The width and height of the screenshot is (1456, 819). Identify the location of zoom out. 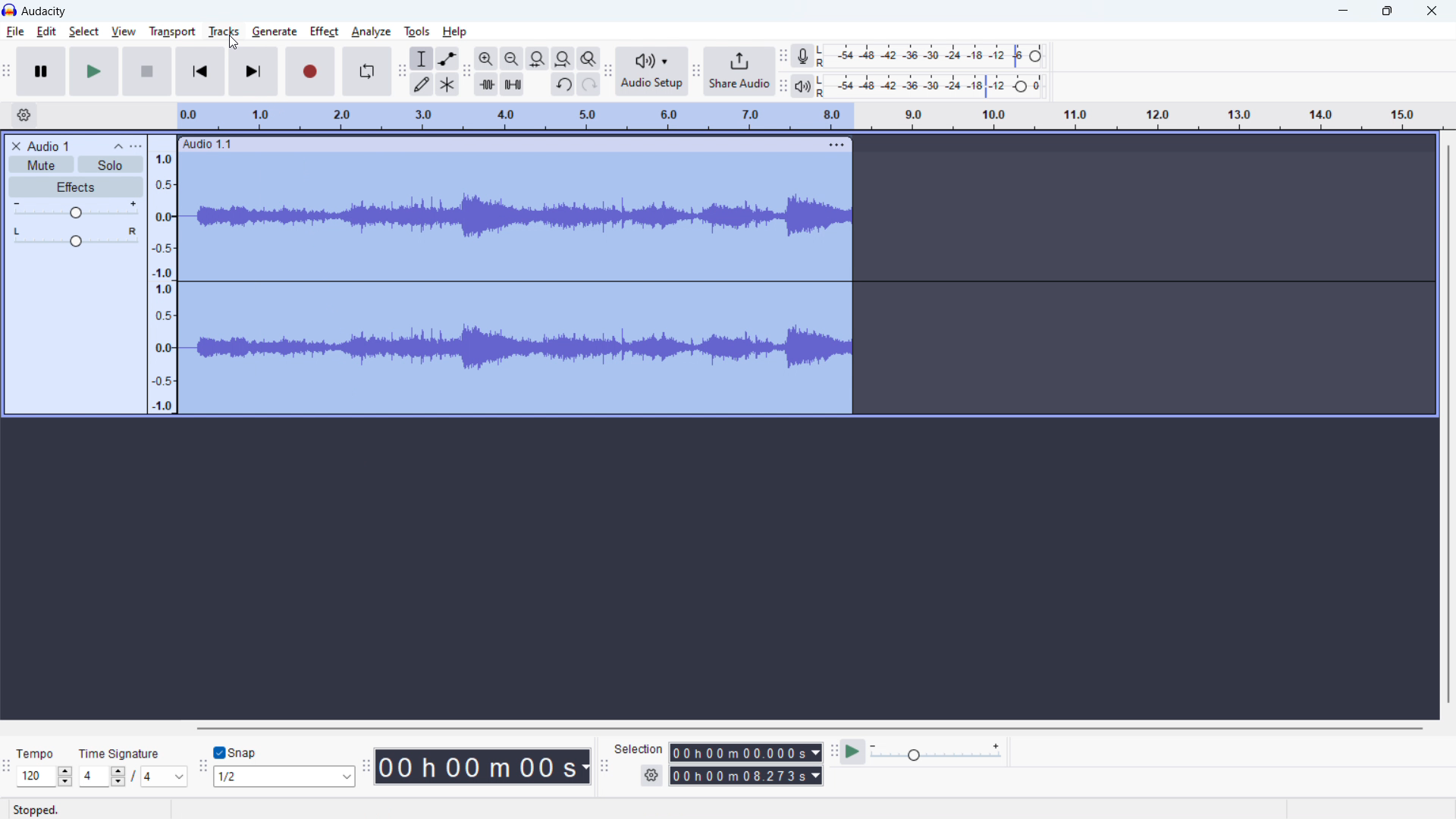
(510, 58).